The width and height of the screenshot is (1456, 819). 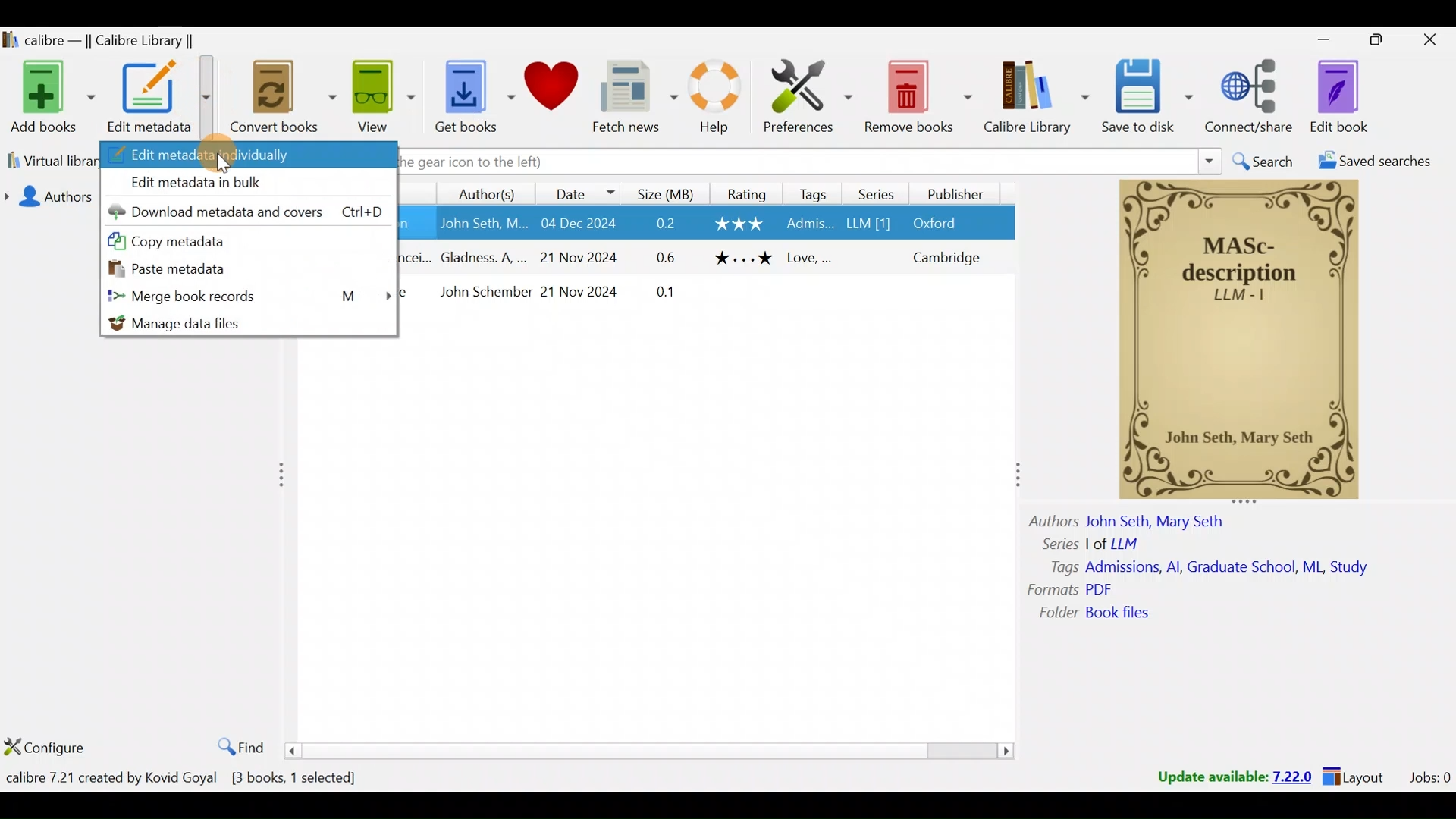 What do you see at coordinates (582, 255) in the screenshot?
I see `` at bounding box center [582, 255].